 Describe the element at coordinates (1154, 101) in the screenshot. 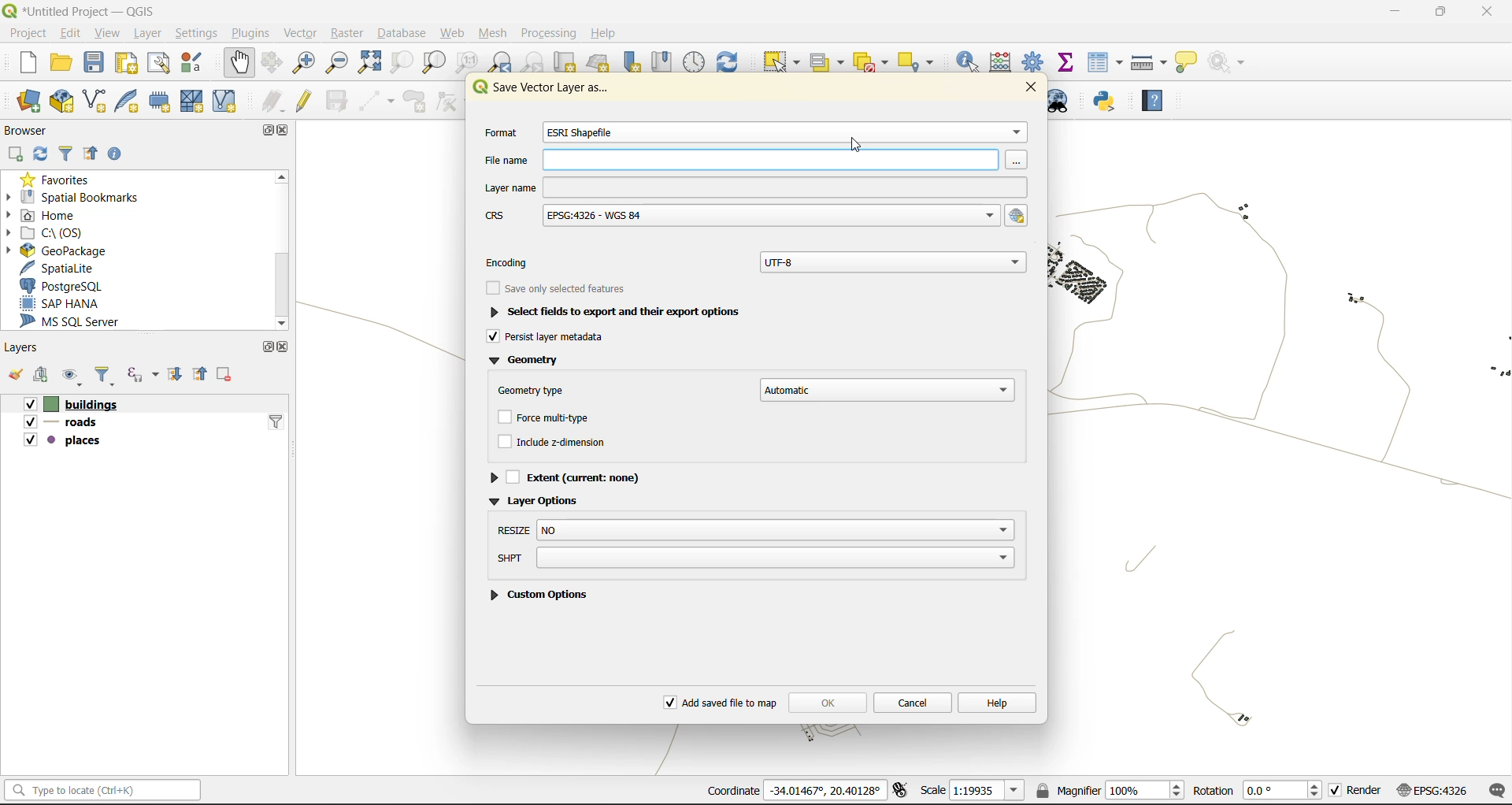

I see `help` at that location.